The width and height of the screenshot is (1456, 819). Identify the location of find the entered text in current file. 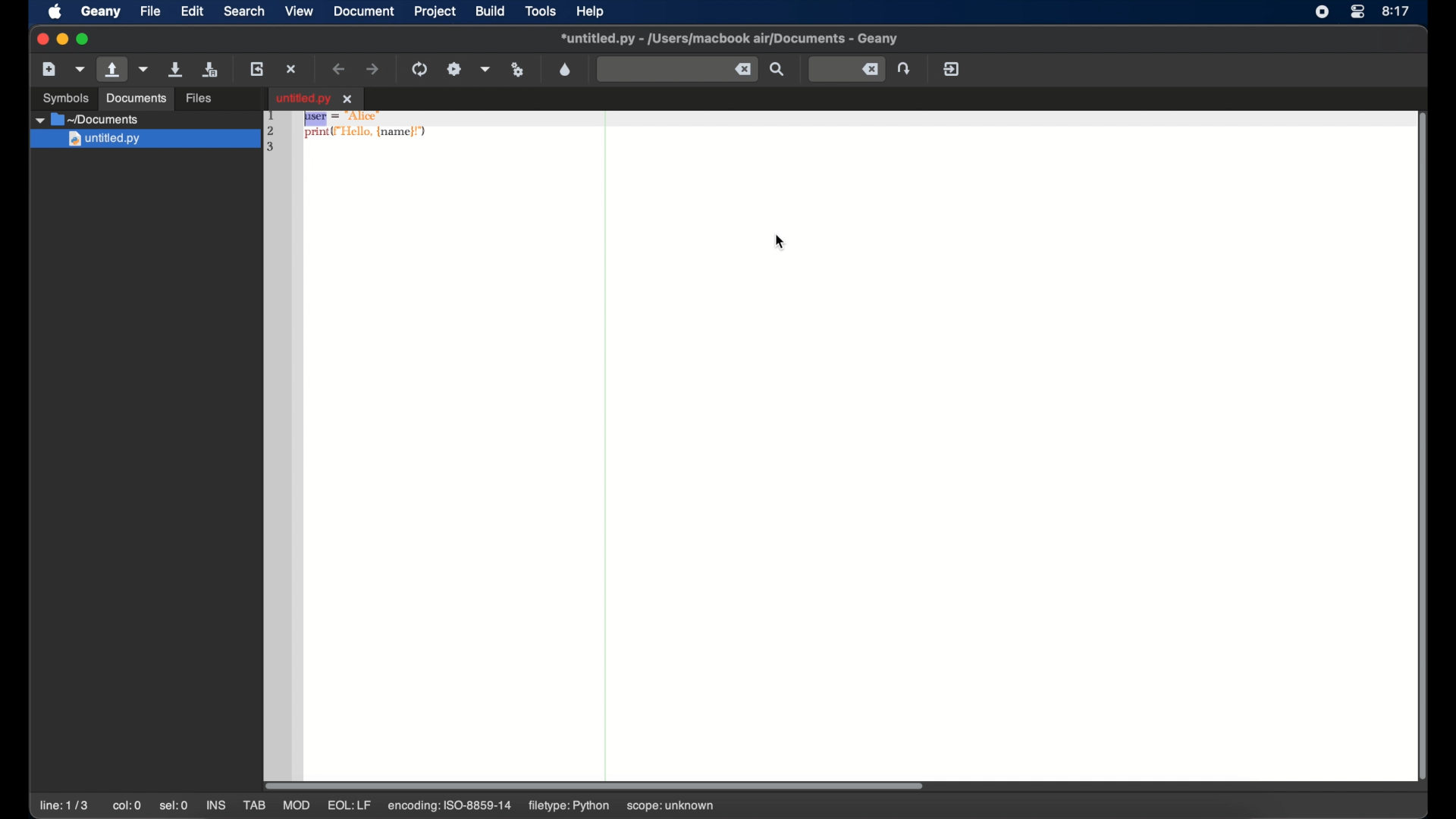
(777, 69).